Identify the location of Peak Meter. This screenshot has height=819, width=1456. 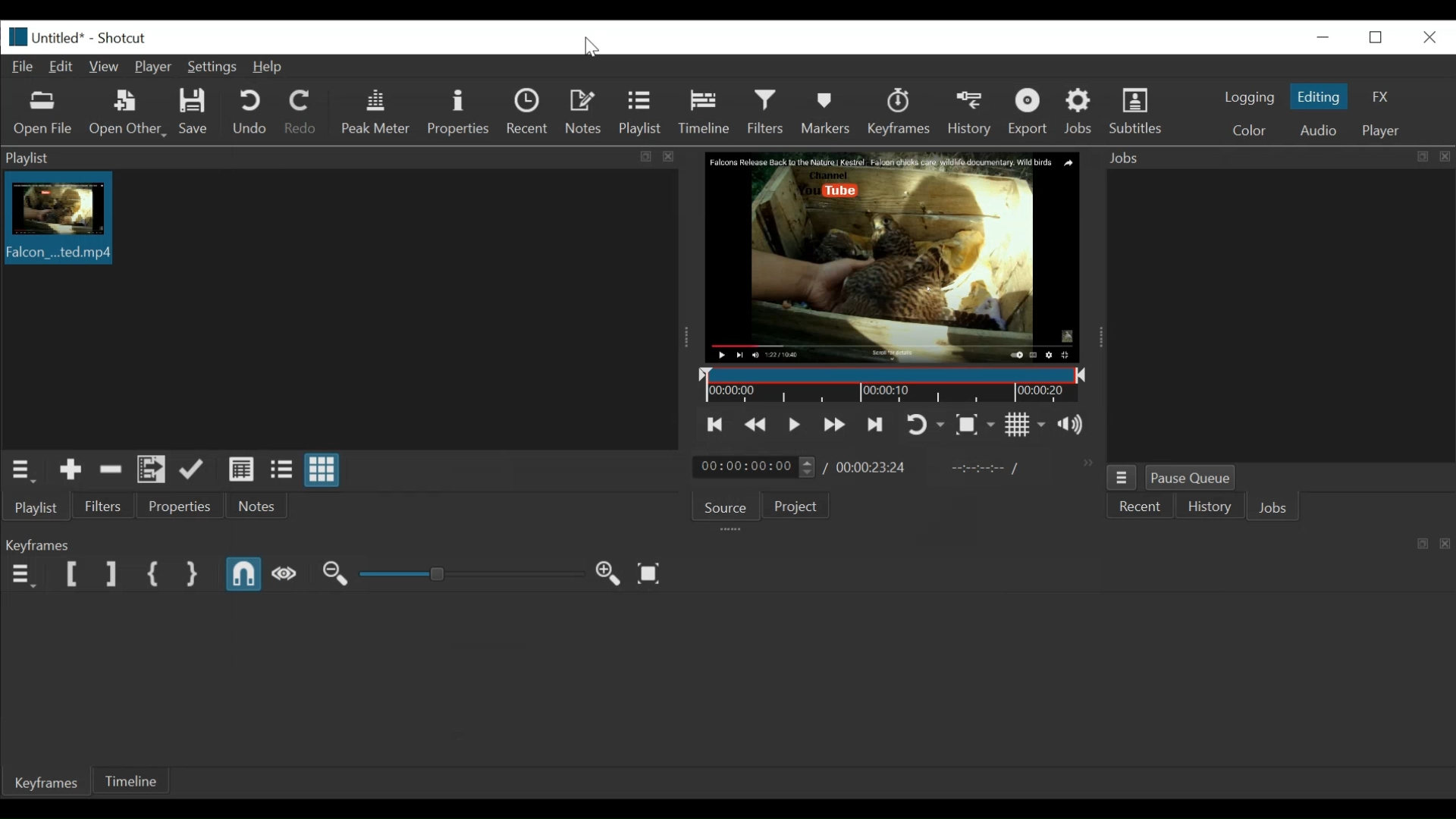
(375, 112).